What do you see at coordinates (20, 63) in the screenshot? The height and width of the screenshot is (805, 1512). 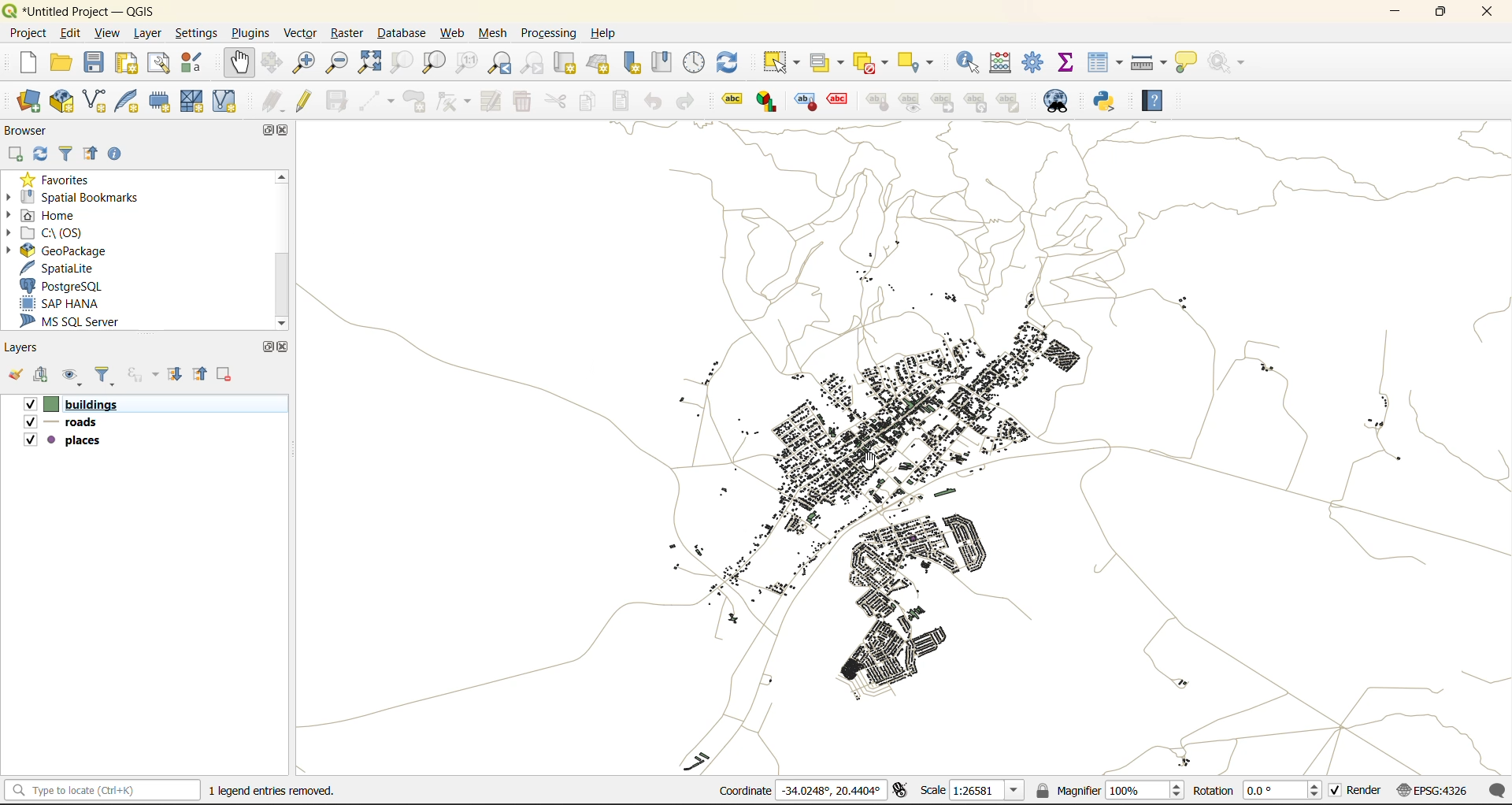 I see `new` at bounding box center [20, 63].